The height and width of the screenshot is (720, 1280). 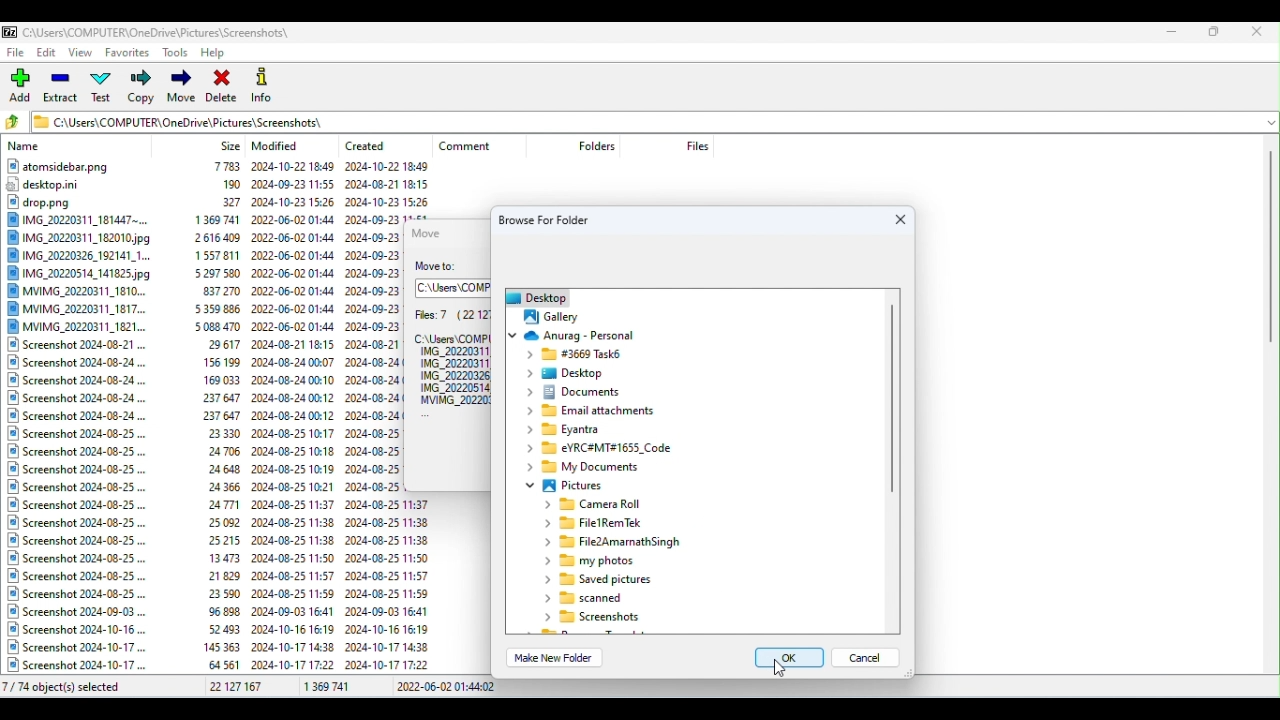 I want to click on Tools, so click(x=176, y=52).